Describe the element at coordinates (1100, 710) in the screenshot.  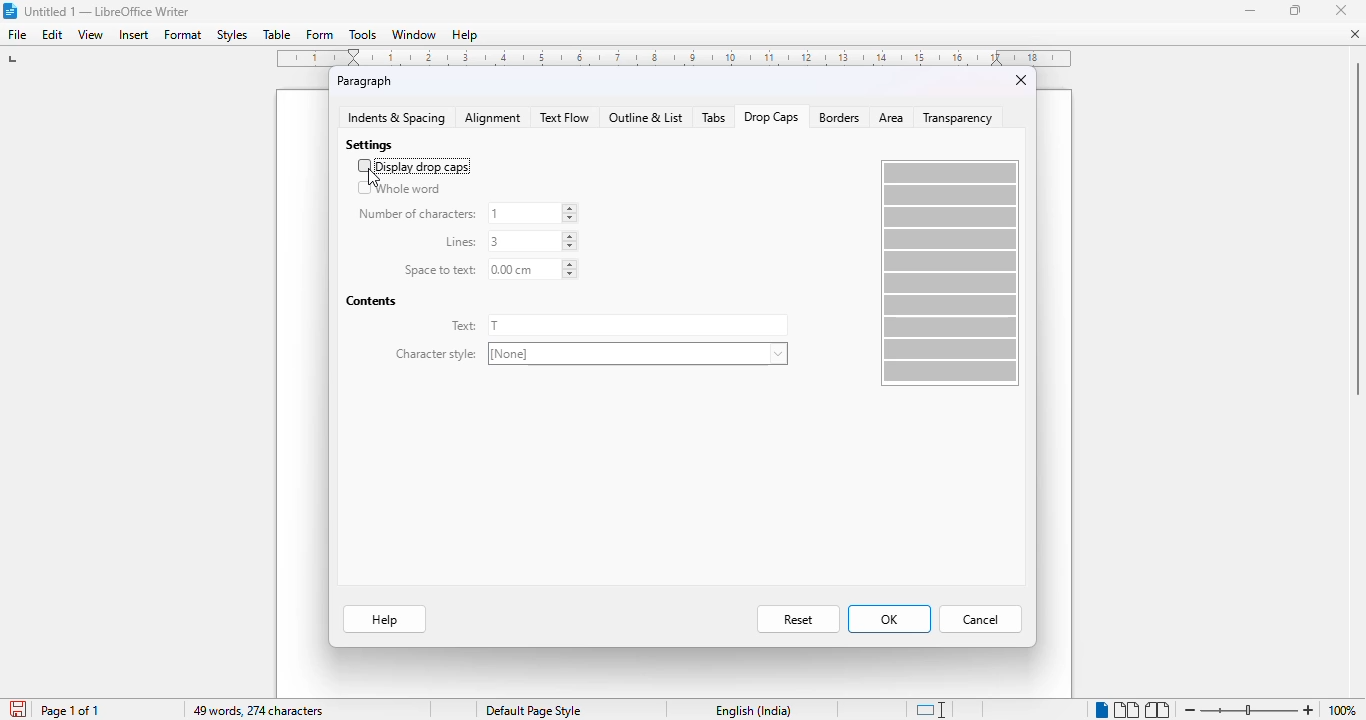
I see `single-page view` at that location.